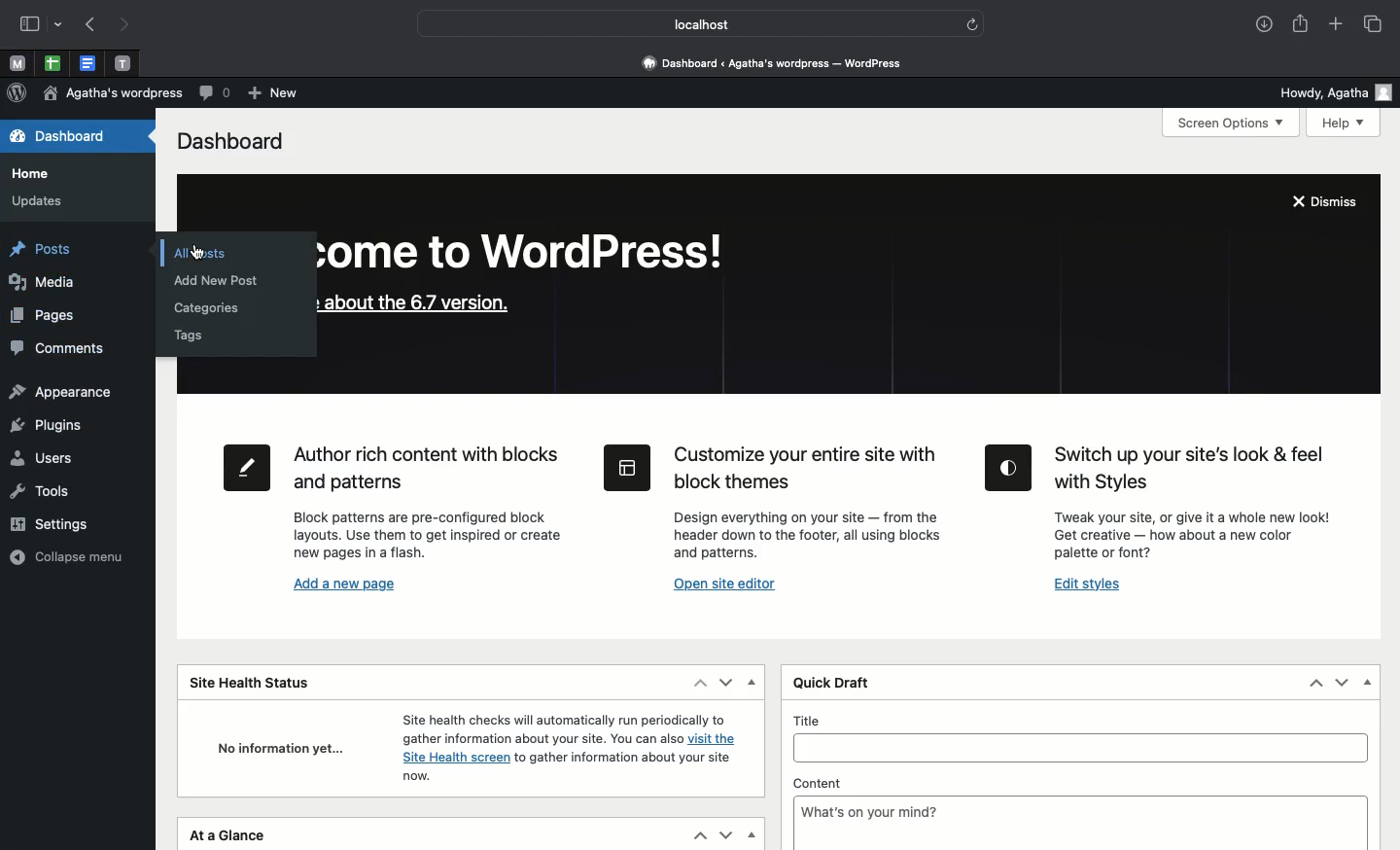 The height and width of the screenshot is (850, 1400). What do you see at coordinates (698, 836) in the screenshot?
I see `Up` at bounding box center [698, 836].